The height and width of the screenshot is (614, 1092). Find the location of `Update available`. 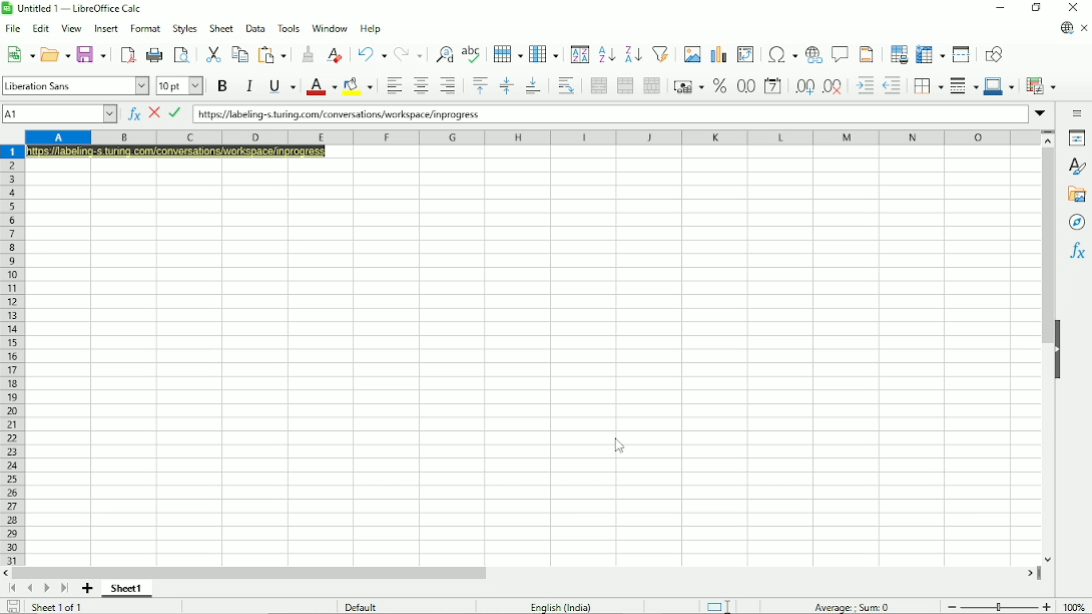

Update available is located at coordinates (1066, 29).